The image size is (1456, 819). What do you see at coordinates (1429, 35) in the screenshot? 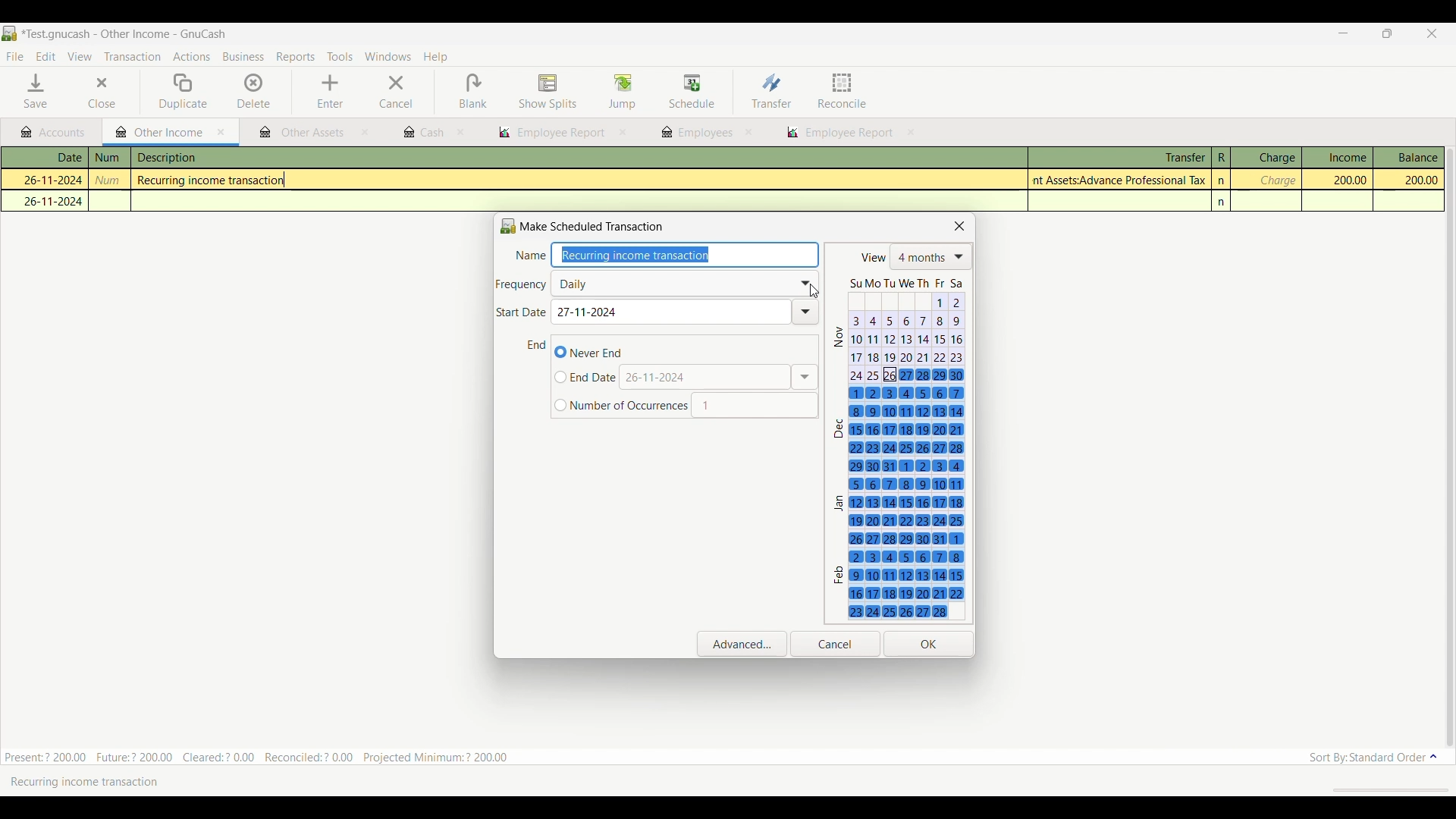
I see `Close interface` at bounding box center [1429, 35].